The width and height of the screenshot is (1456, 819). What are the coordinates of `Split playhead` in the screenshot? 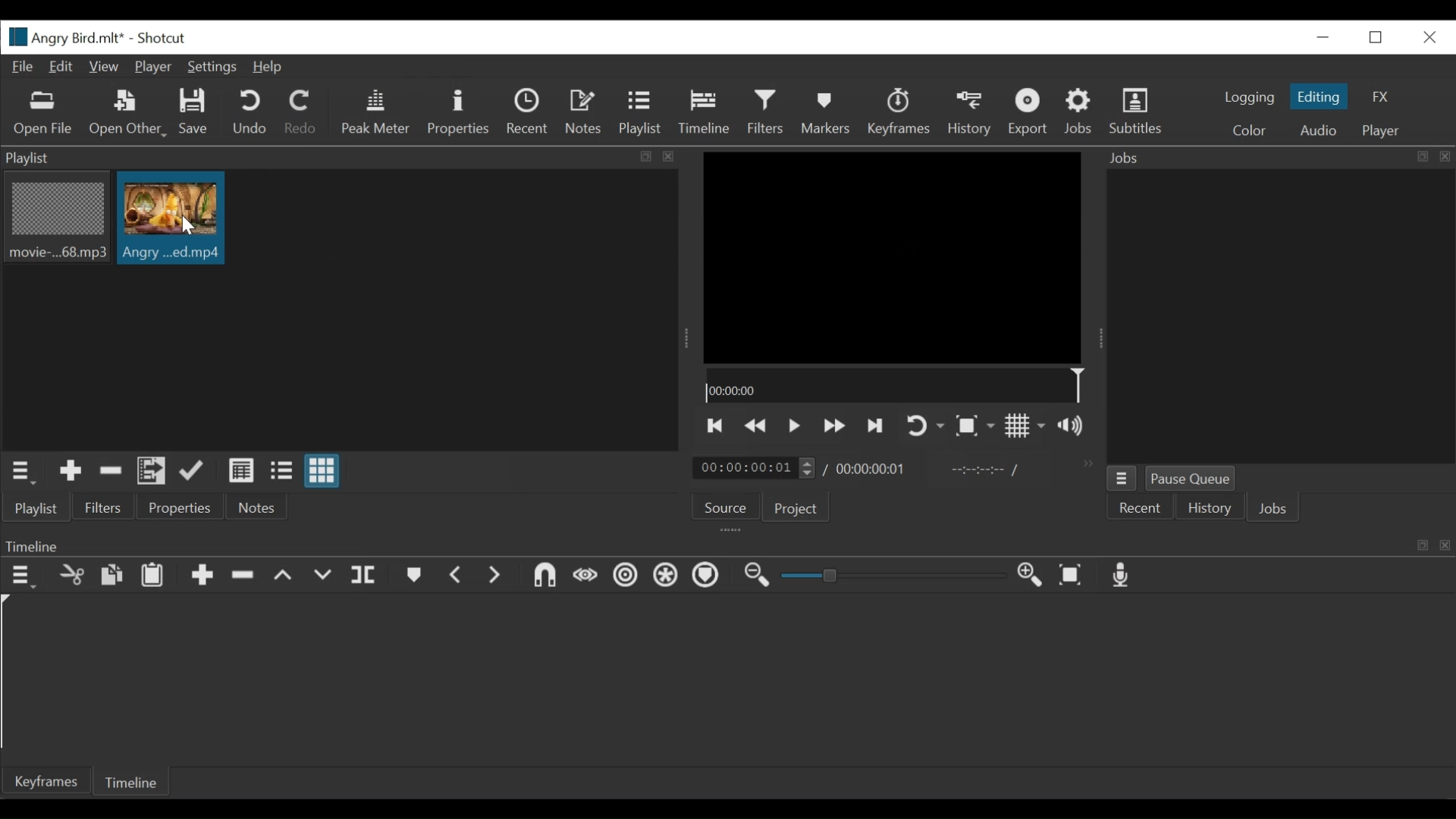 It's located at (363, 578).